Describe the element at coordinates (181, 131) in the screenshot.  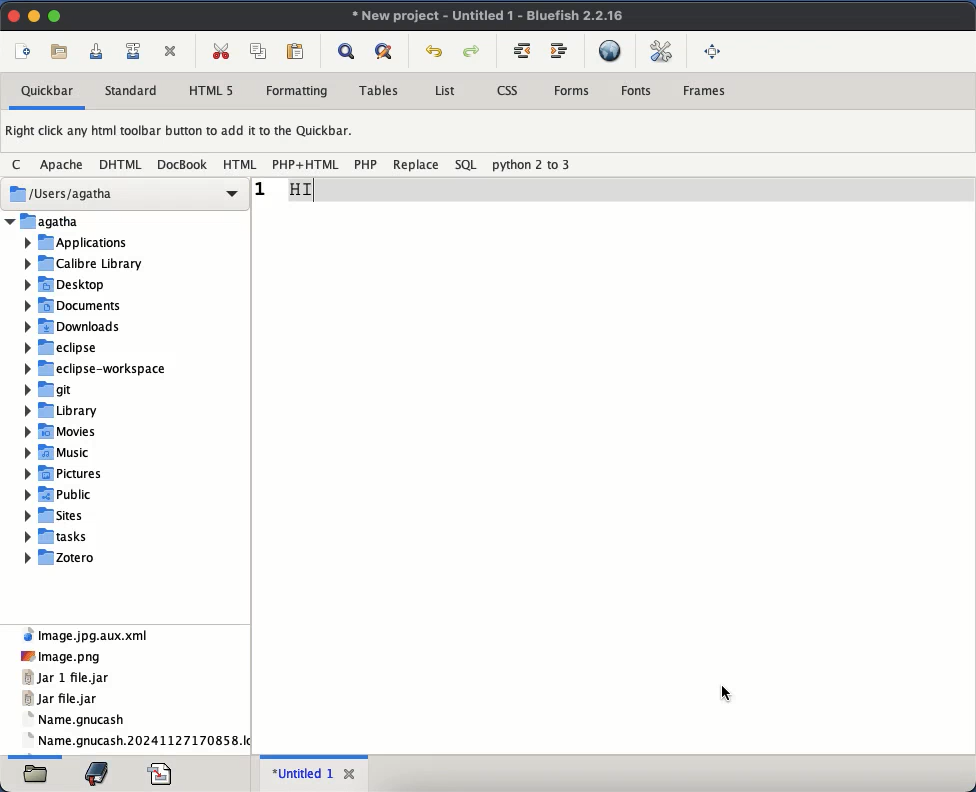
I see `right click any html ` at that location.